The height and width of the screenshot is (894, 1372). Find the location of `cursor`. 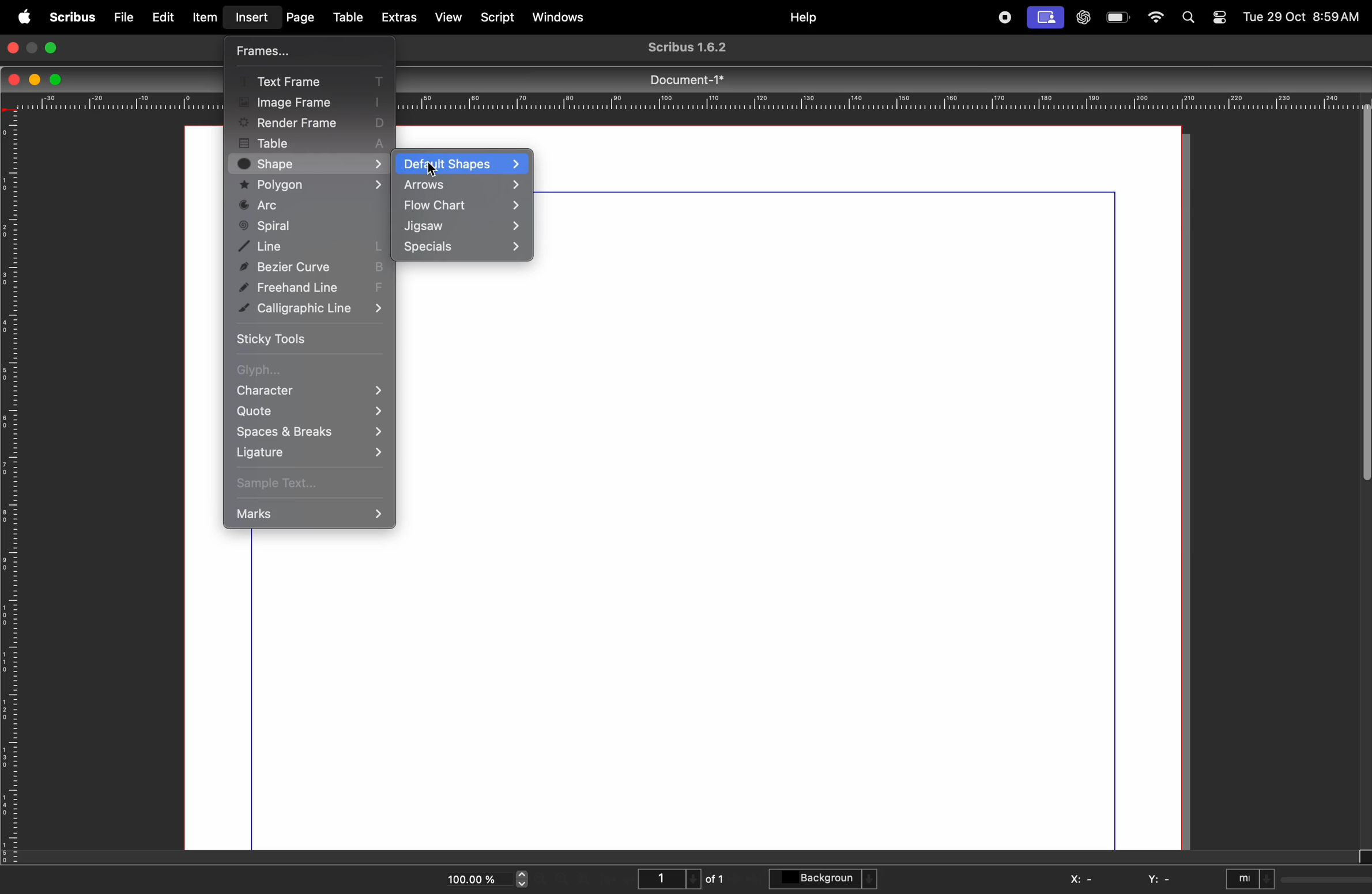

cursor is located at coordinates (434, 169).